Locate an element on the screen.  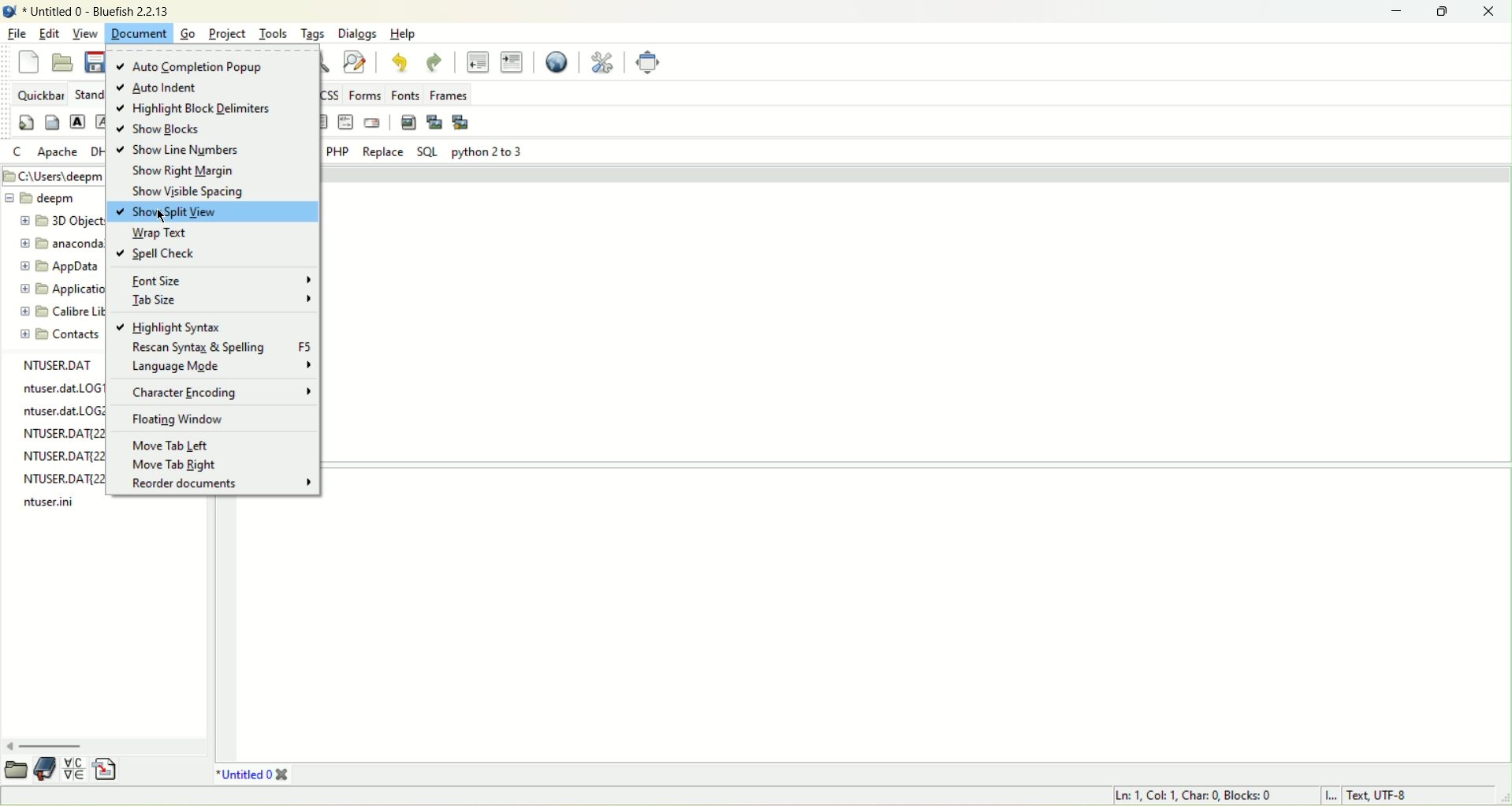
quickbar is located at coordinates (41, 94).